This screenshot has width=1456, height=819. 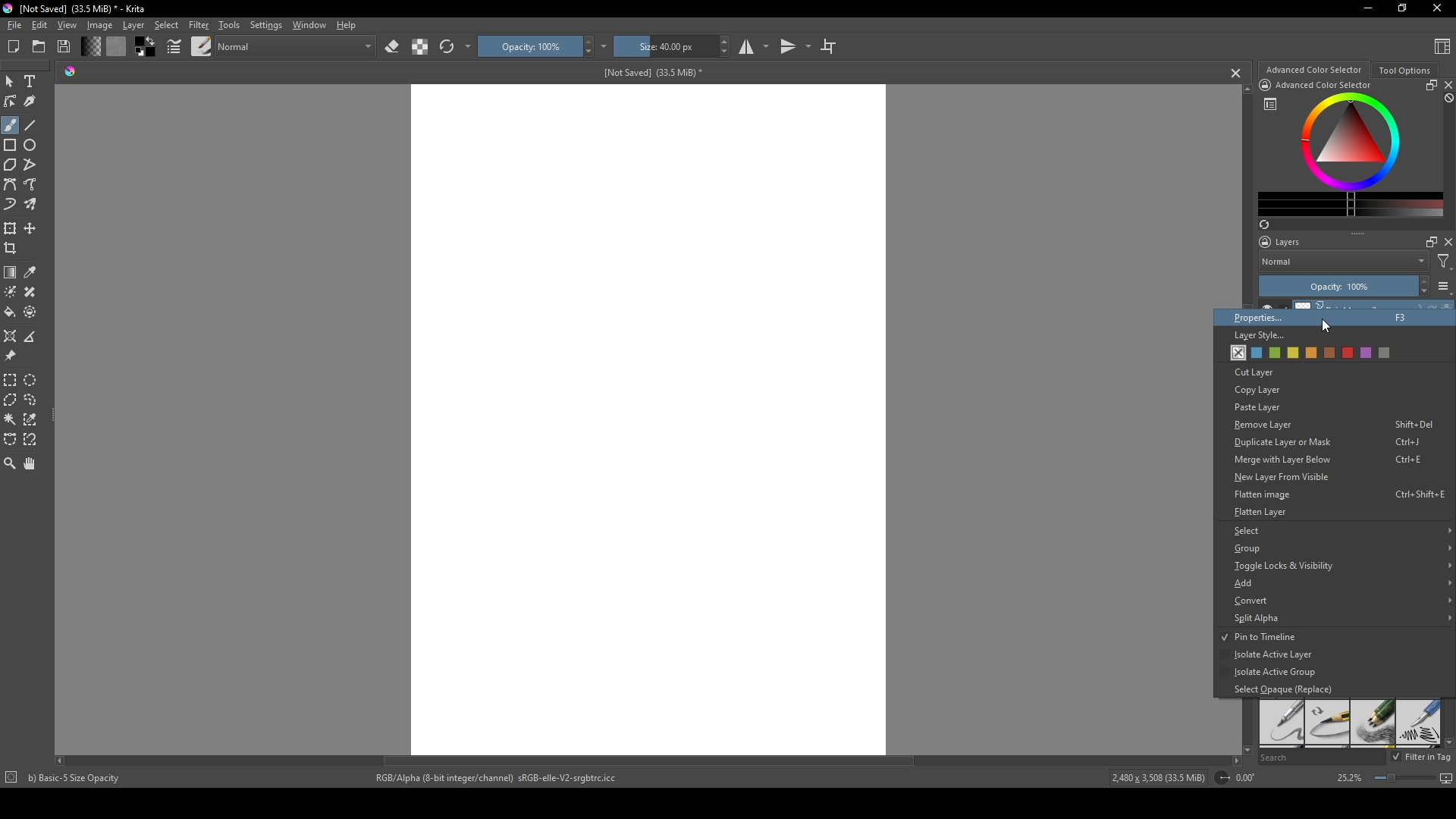 I want to click on Layer, so click(x=133, y=25).